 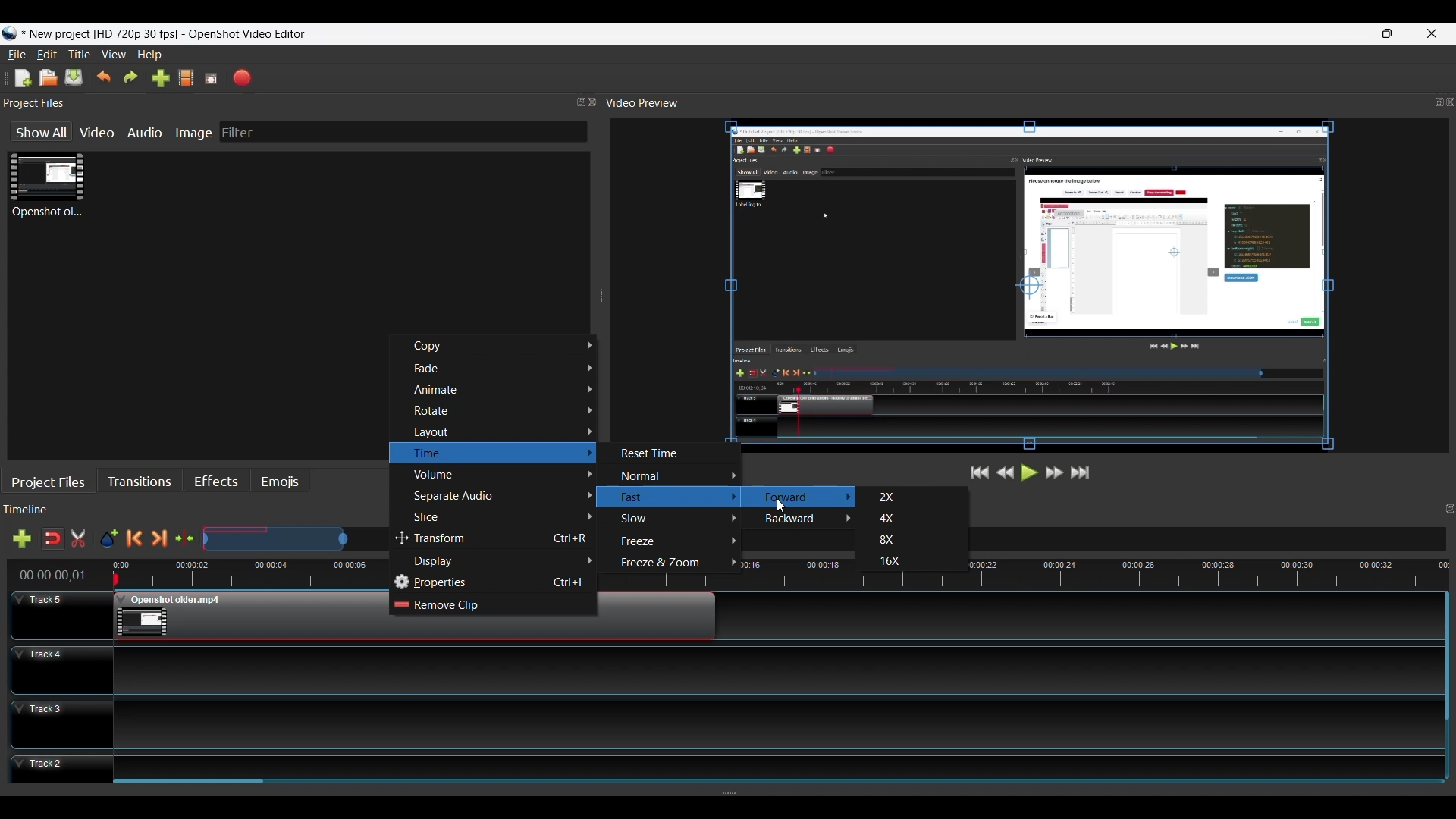 What do you see at coordinates (1432, 33) in the screenshot?
I see `Close` at bounding box center [1432, 33].